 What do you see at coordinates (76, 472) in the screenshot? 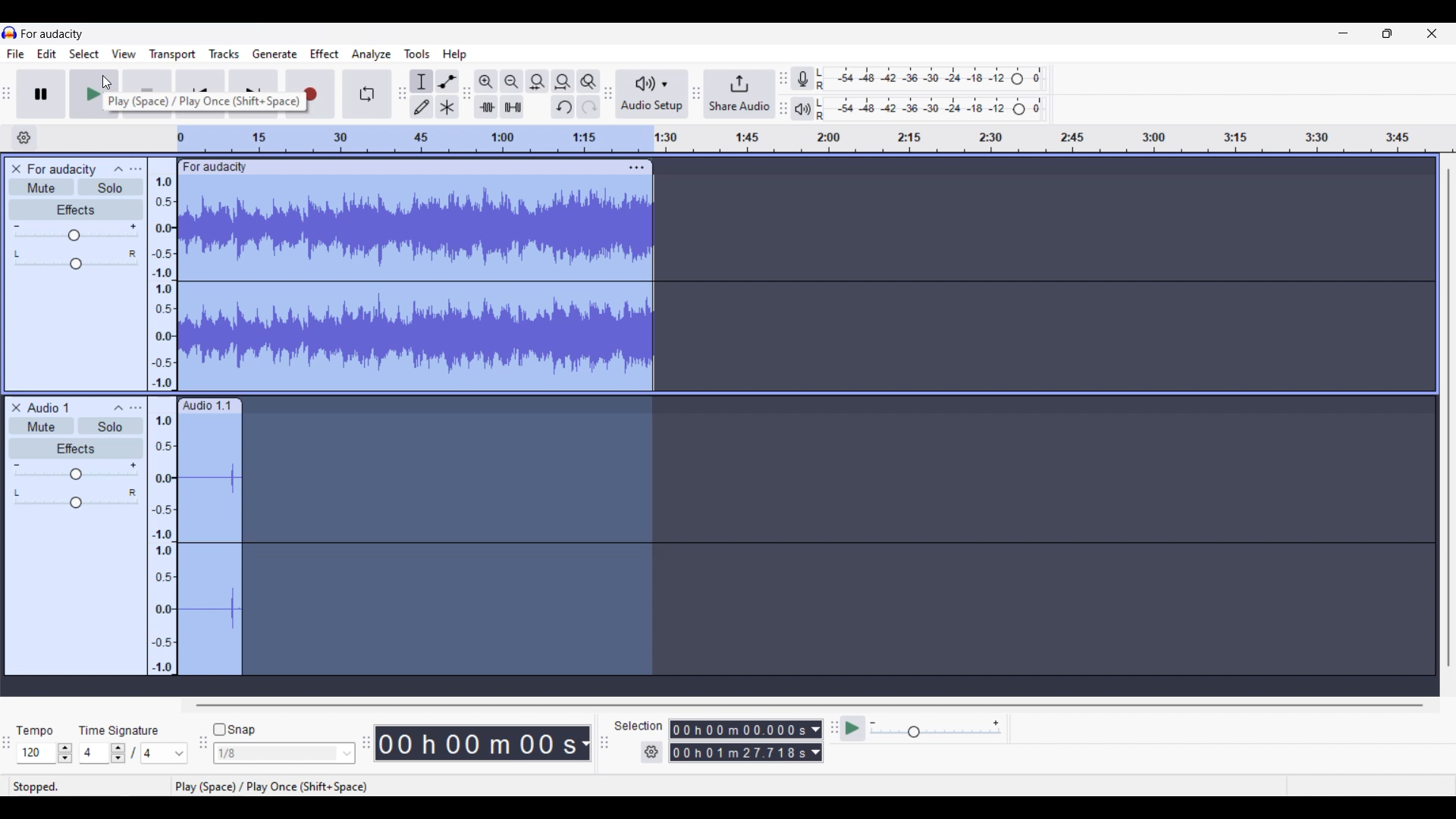
I see `gain` at bounding box center [76, 472].